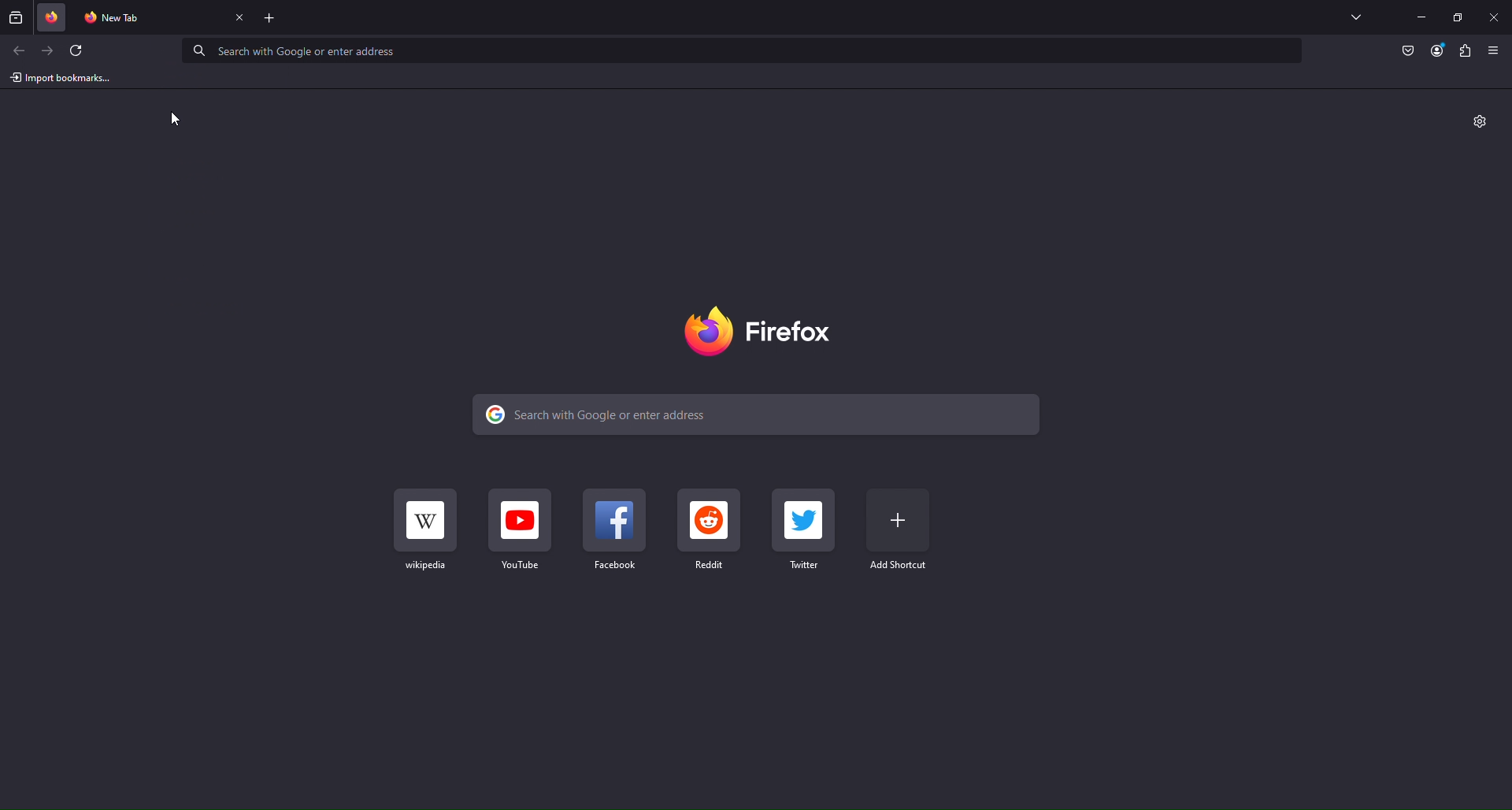 The height and width of the screenshot is (810, 1512). What do you see at coordinates (1438, 51) in the screenshot?
I see `Account` at bounding box center [1438, 51].